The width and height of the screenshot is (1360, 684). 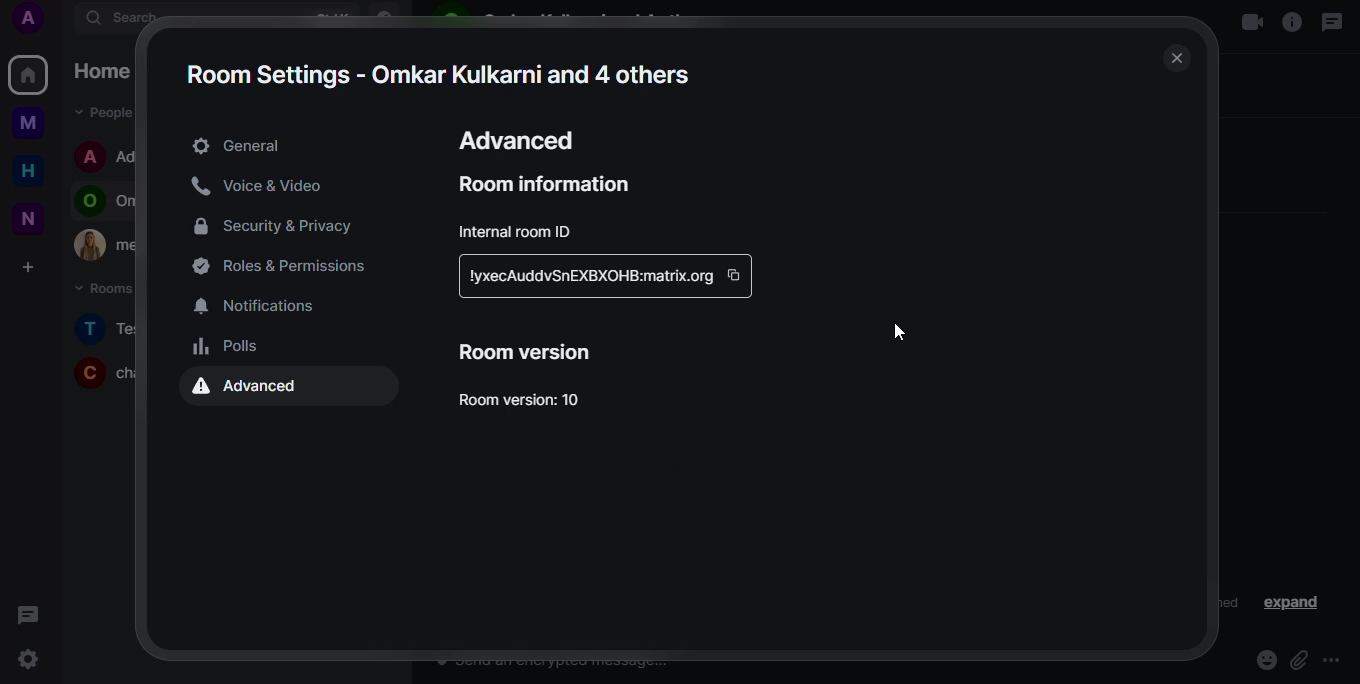 What do you see at coordinates (442, 70) in the screenshot?
I see `room settings` at bounding box center [442, 70].